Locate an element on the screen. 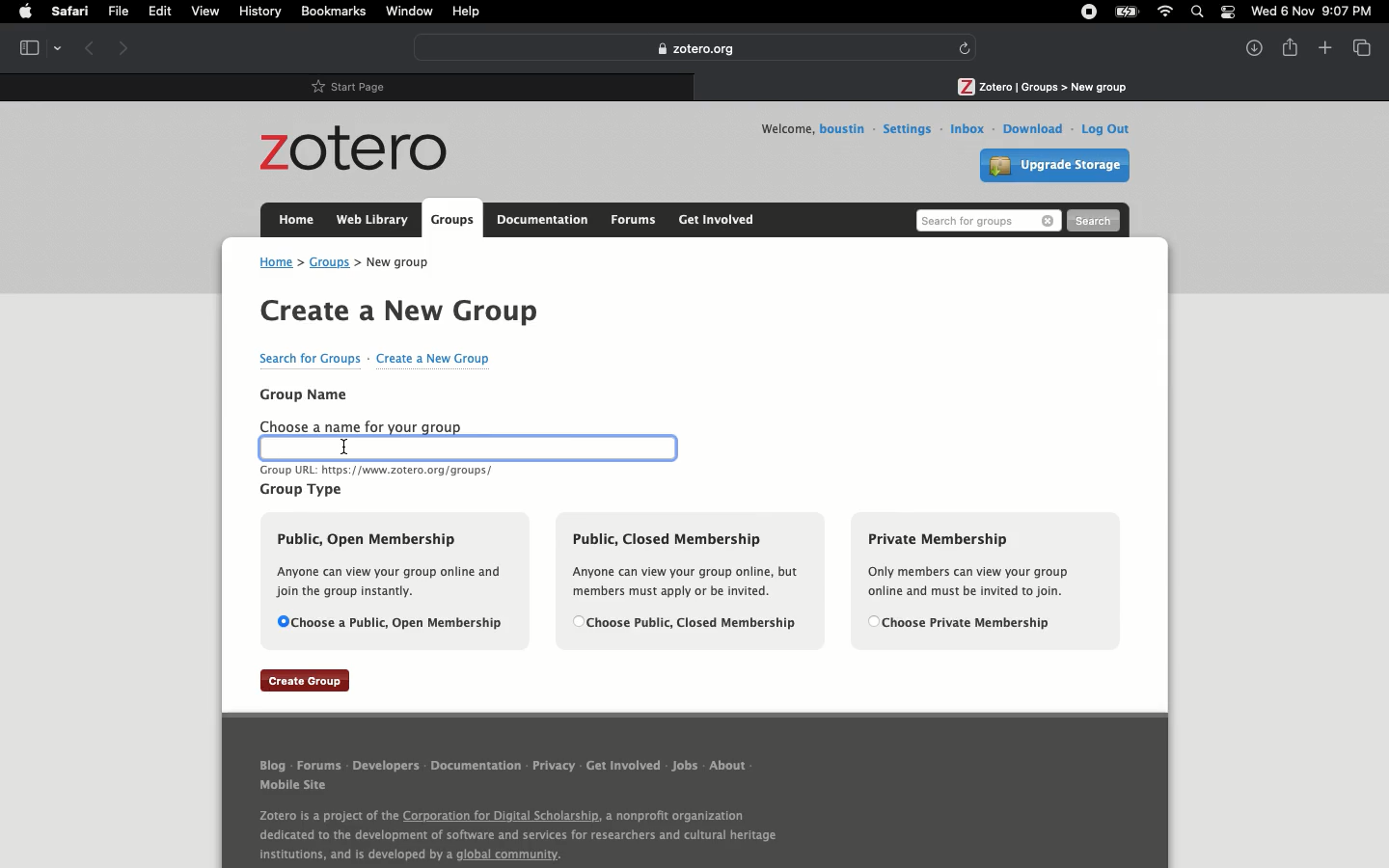  Search is located at coordinates (1198, 12).